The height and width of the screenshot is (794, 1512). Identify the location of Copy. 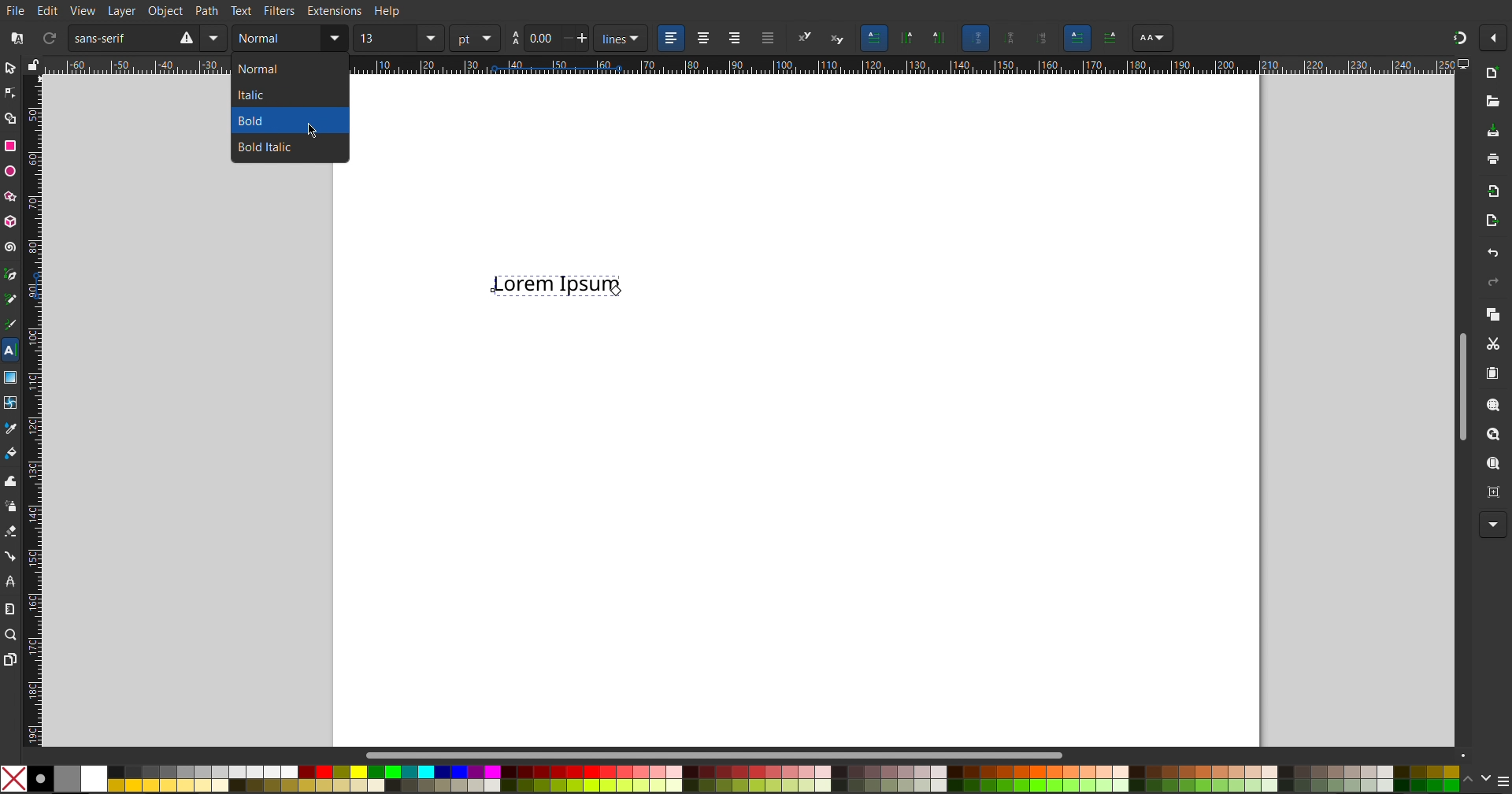
(1492, 314).